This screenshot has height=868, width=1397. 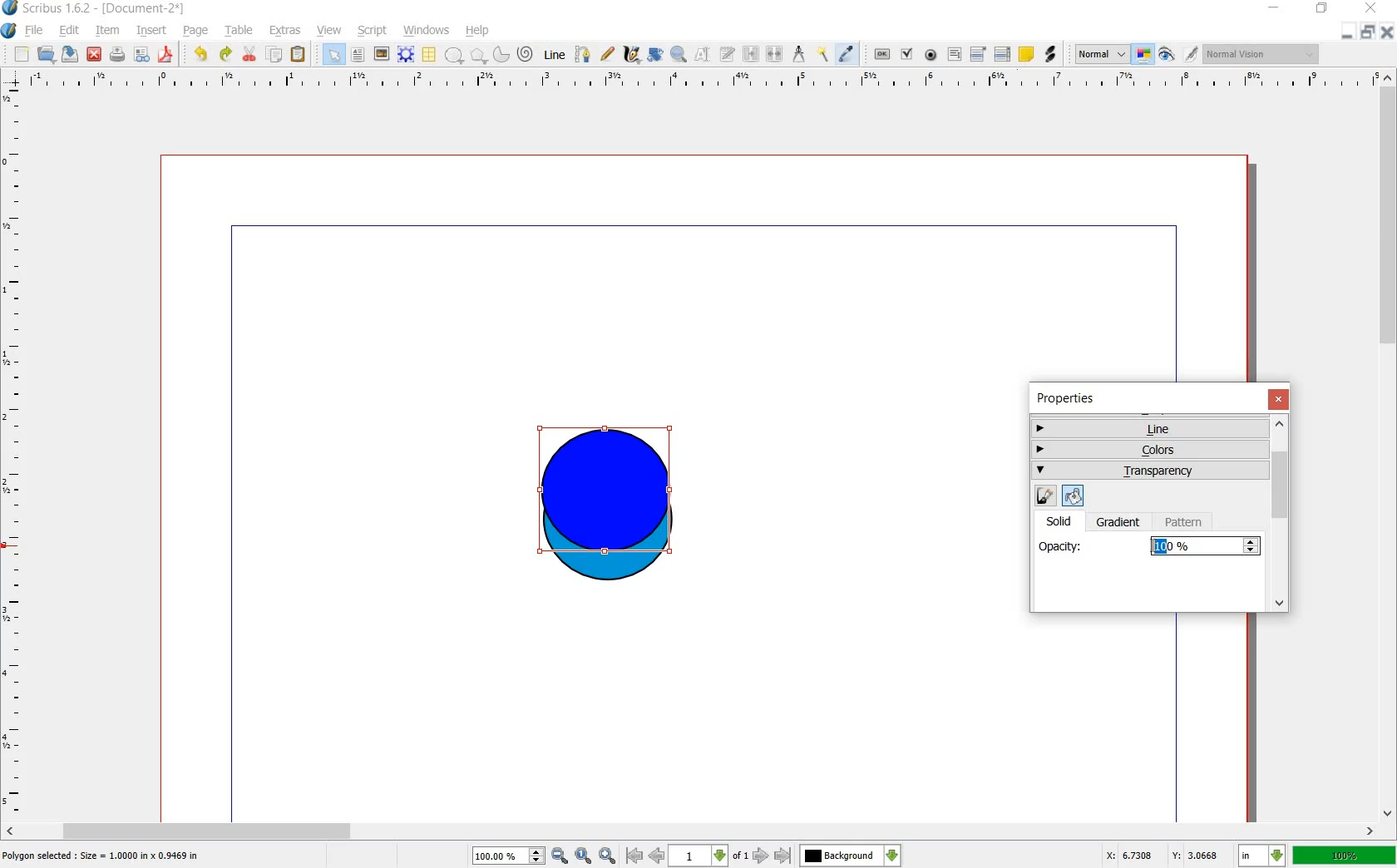 I want to click on spiral, so click(x=525, y=55).